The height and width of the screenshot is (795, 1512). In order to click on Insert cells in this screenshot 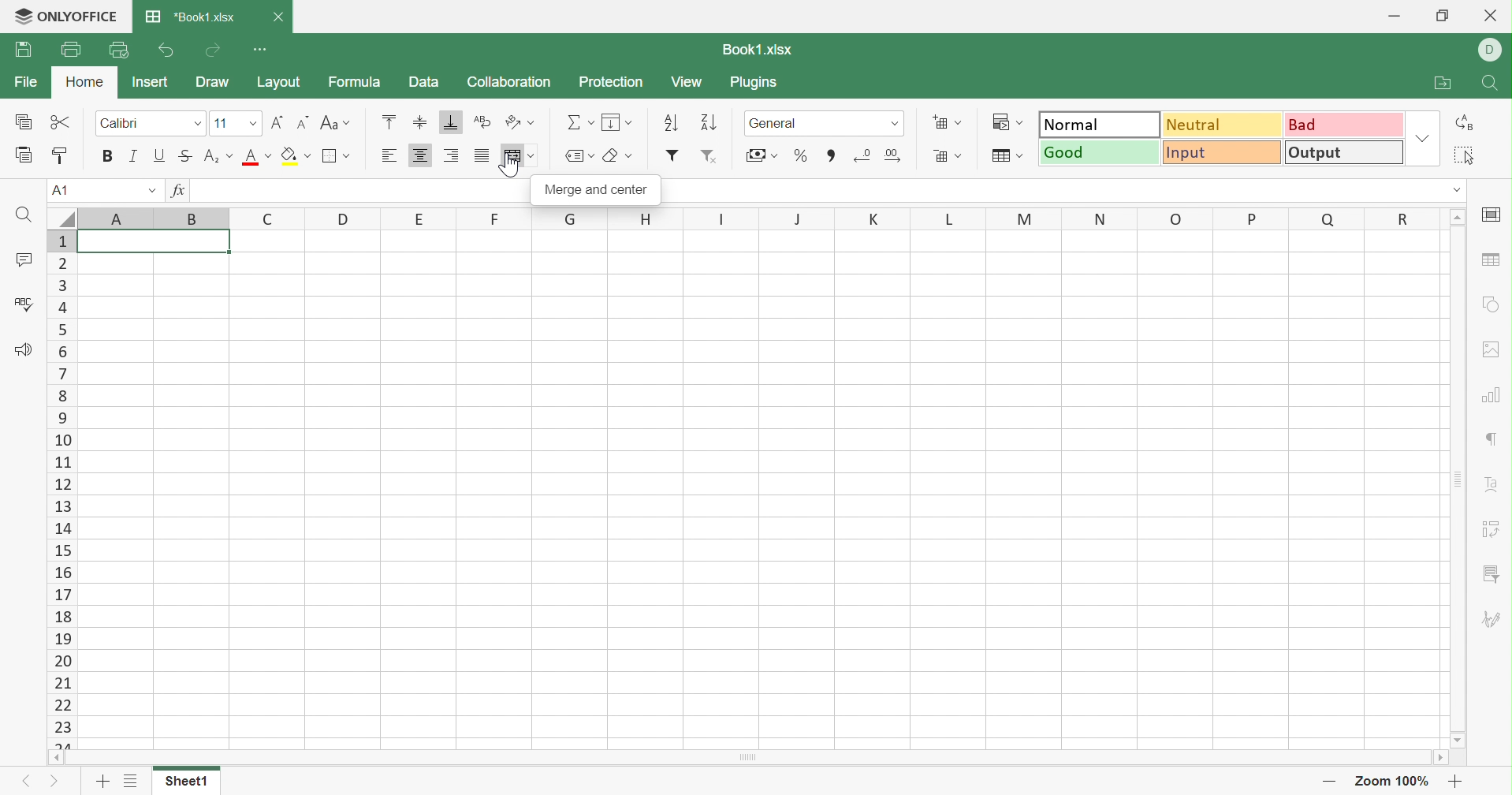, I will do `click(947, 124)`.